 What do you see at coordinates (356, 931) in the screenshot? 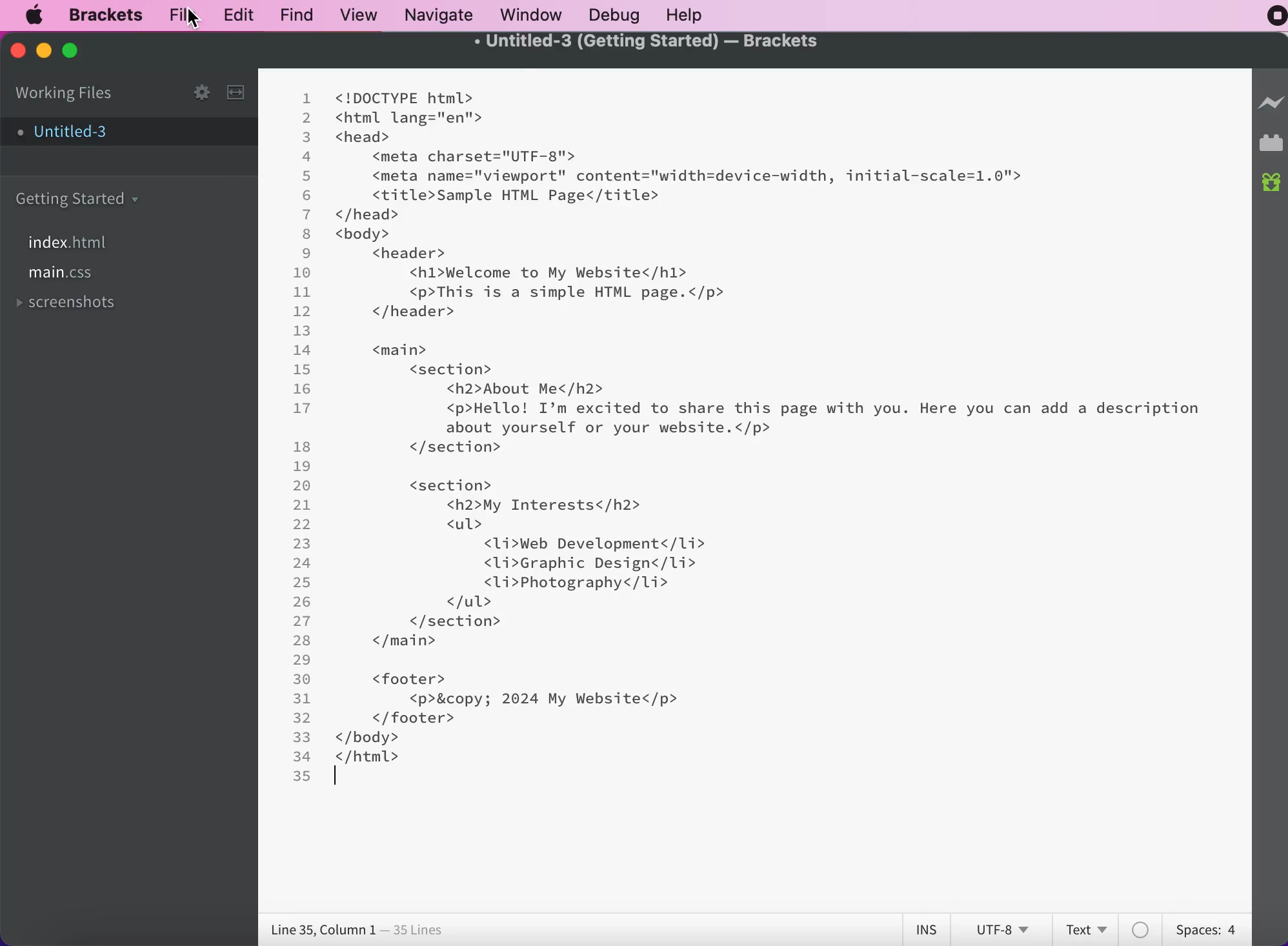
I see `lines 35, column 1 - 35 lines` at bounding box center [356, 931].